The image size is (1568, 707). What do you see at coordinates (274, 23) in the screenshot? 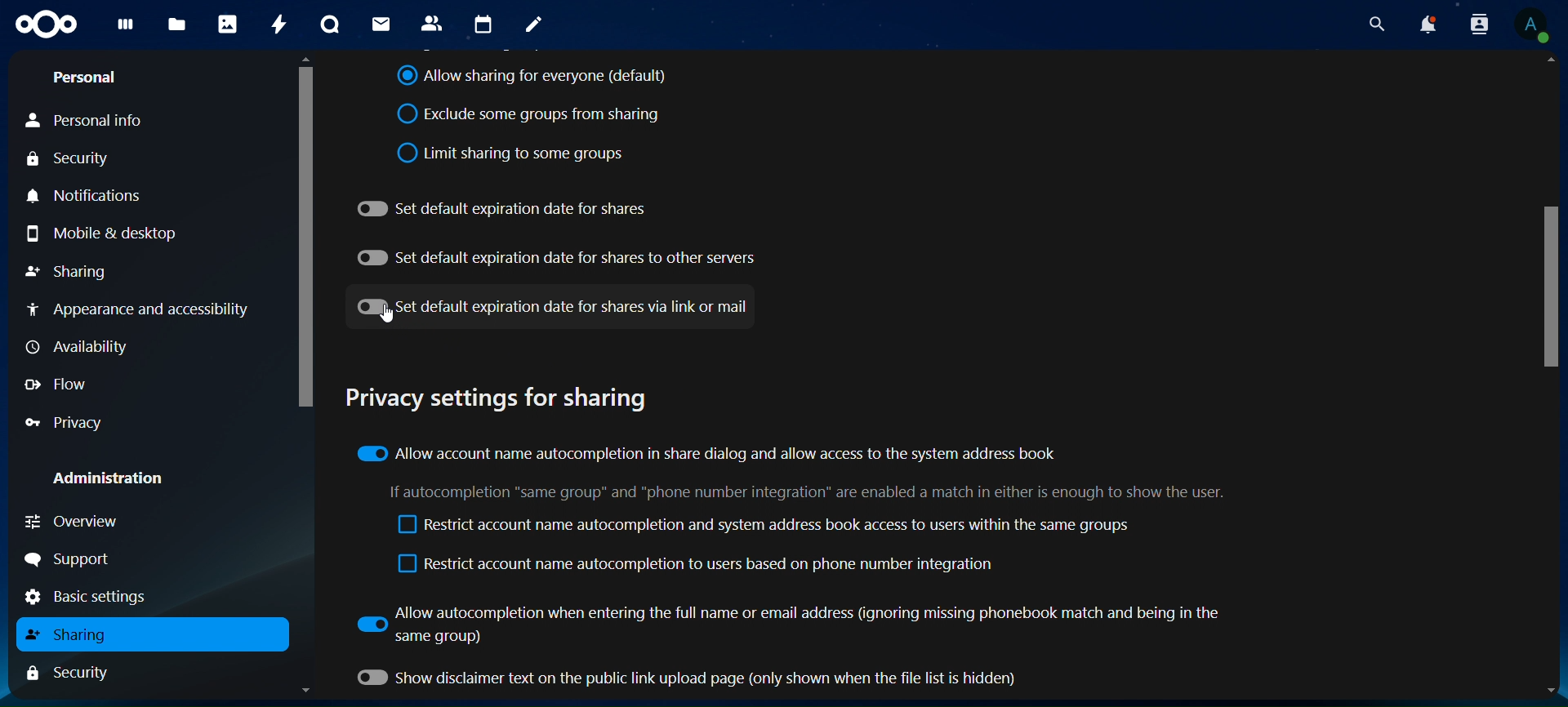
I see `activity` at bounding box center [274, 23].